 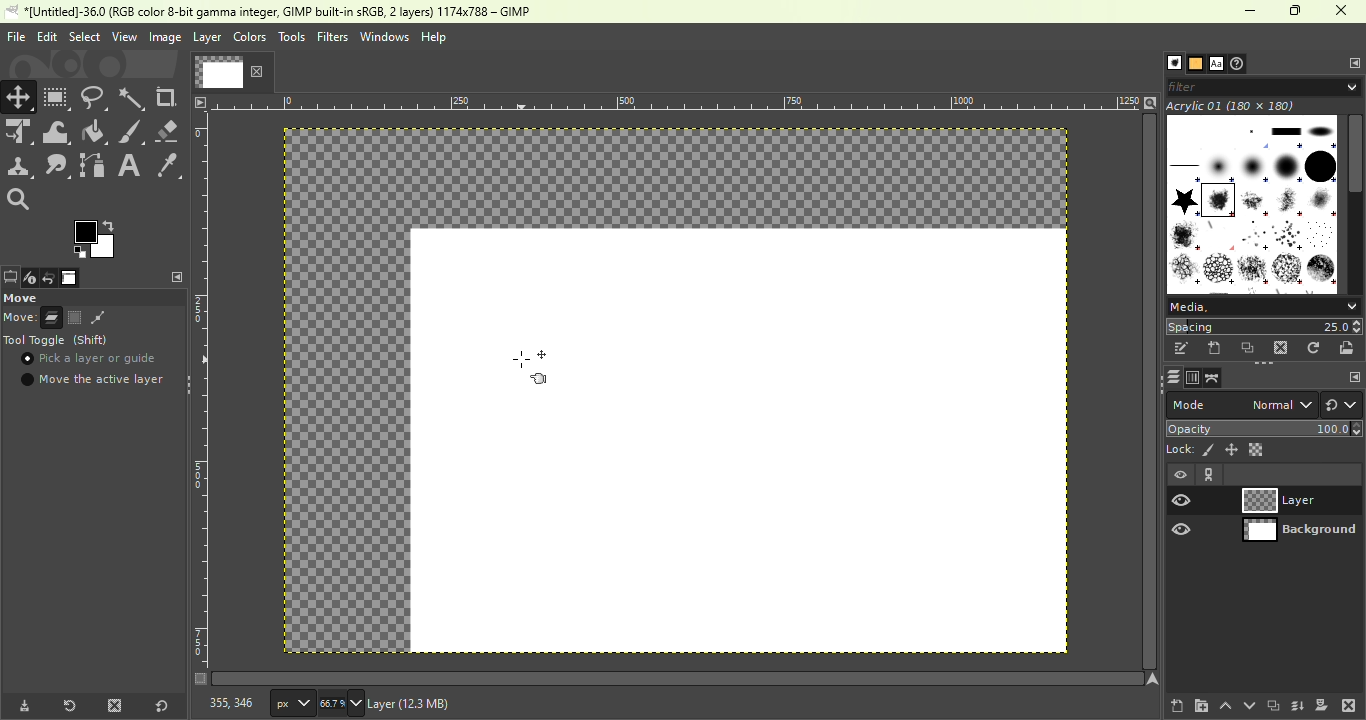 What do you see at coordinates (231, 71) in the screenshot?
I see `Current file` at bounding box center [231, 71].